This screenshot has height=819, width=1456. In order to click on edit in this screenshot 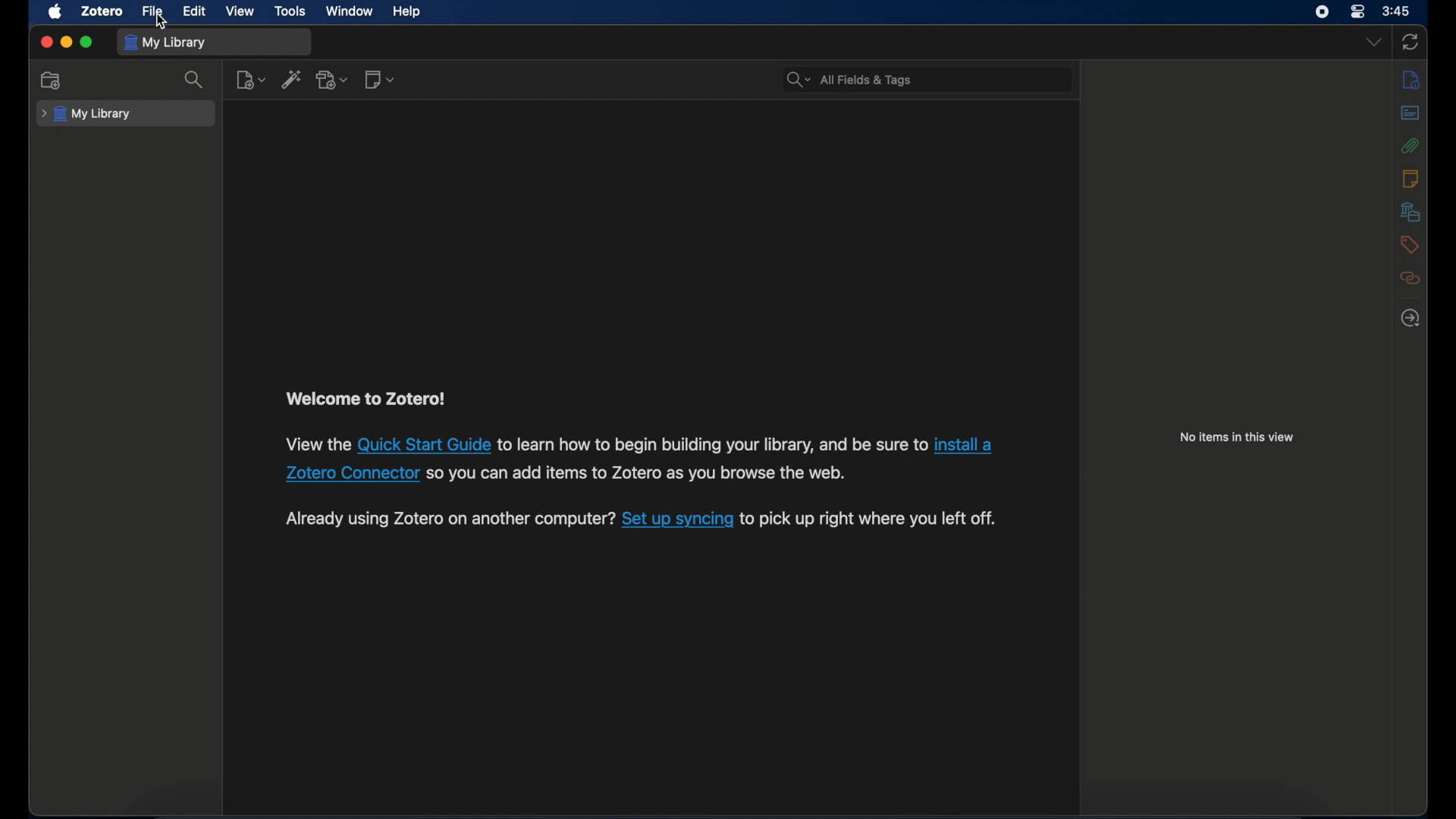, I will do `click(196, 12)`.